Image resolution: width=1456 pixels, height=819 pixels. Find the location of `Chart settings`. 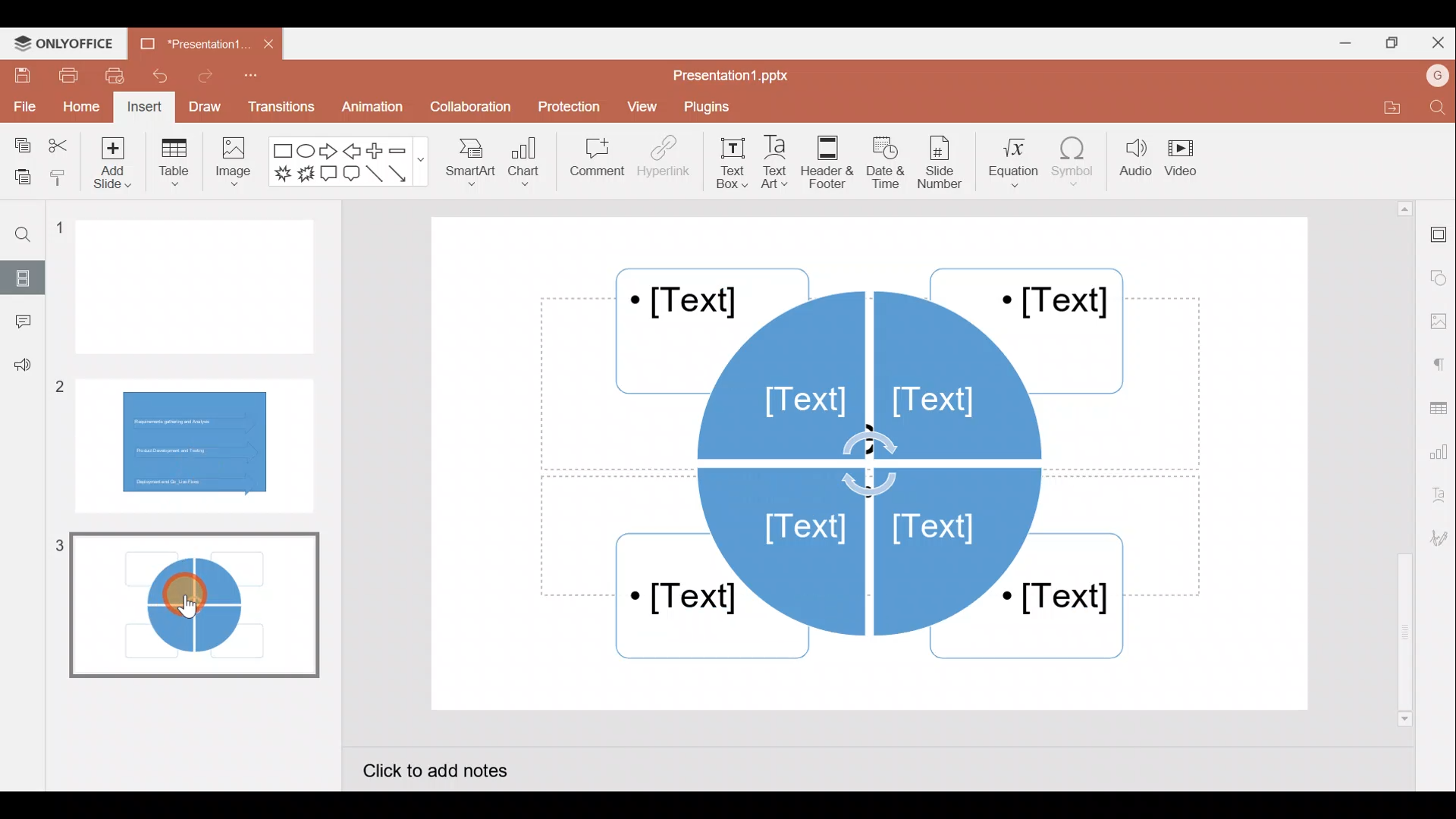

Chart settings is located at coordinates (1441, 454).